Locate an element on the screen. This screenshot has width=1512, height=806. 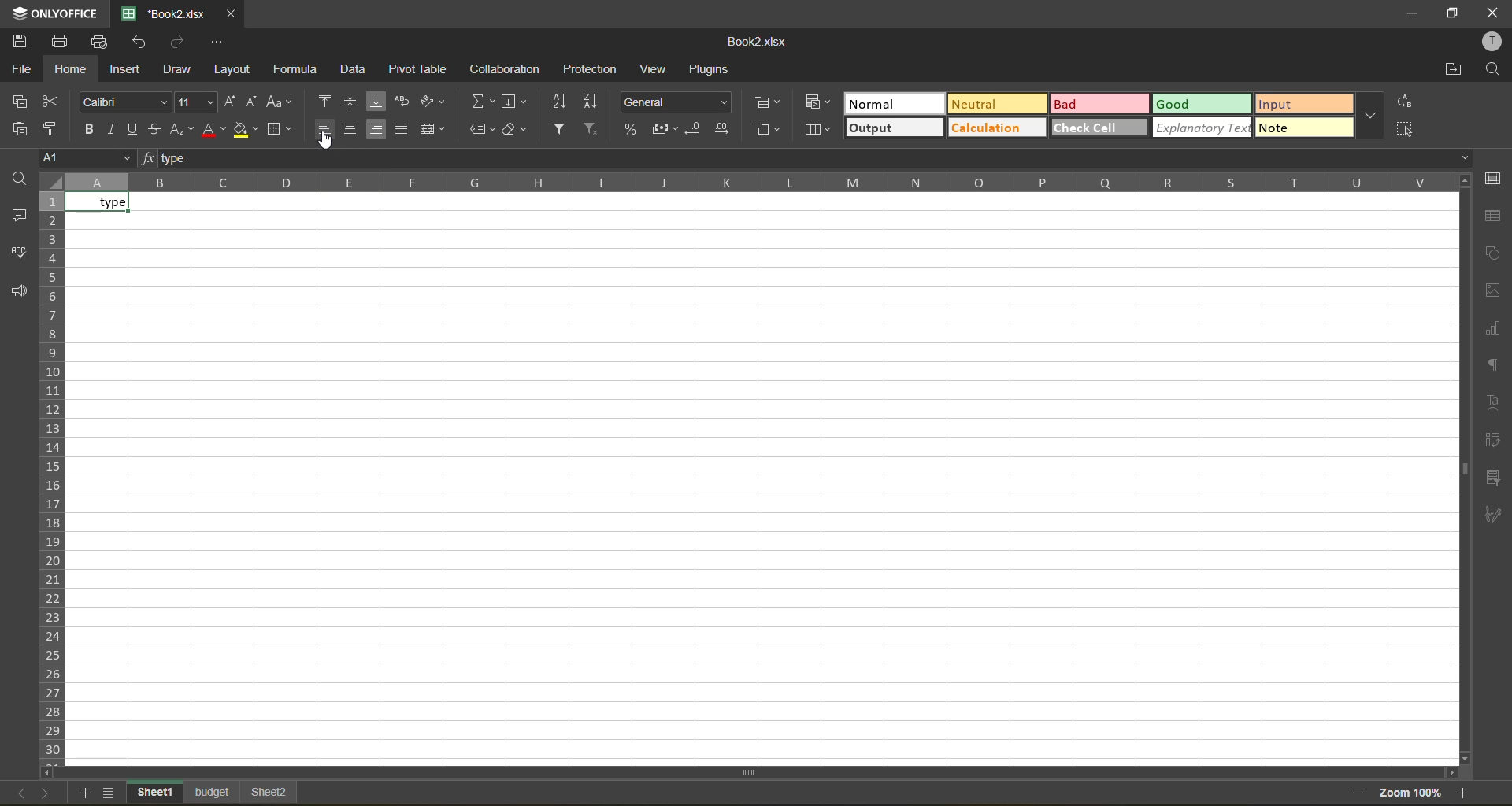
draw is located at coordinates (174, 70).